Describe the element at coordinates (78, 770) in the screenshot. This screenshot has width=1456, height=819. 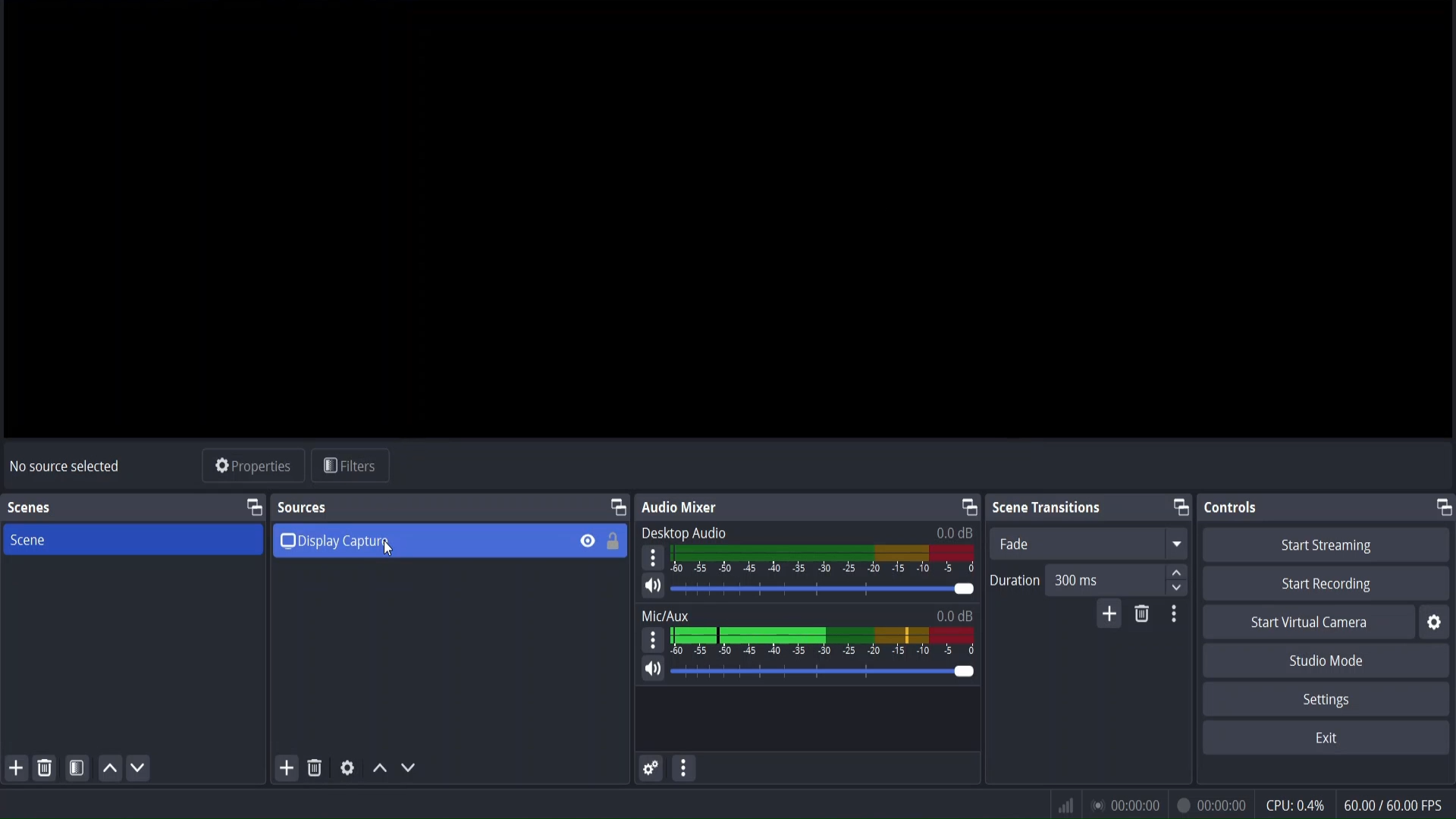
I see `open scene filter` at that location.